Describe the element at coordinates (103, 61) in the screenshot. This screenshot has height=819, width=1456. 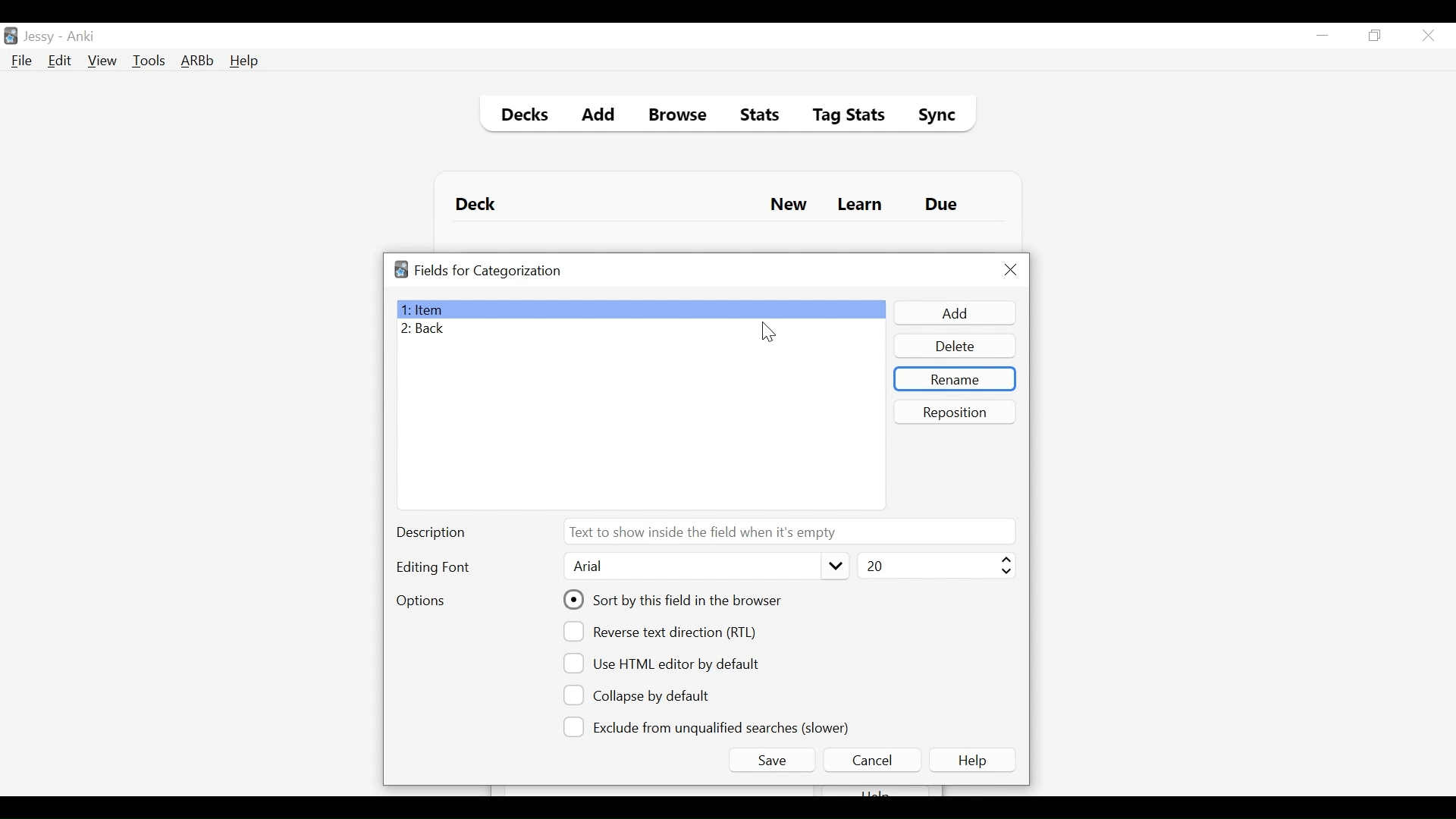
I see `View` at that location.